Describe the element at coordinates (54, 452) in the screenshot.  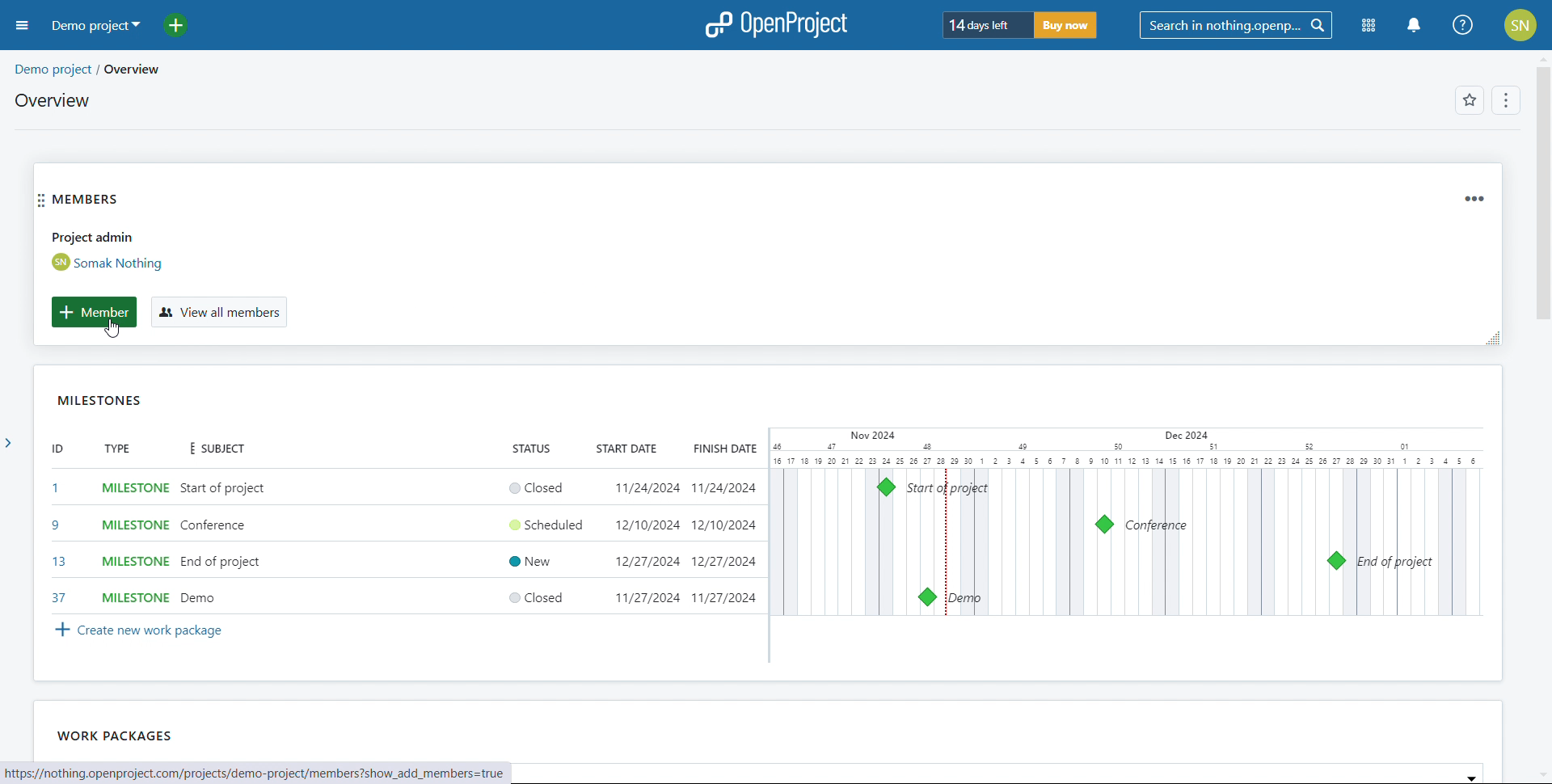
I see `id` at that location.